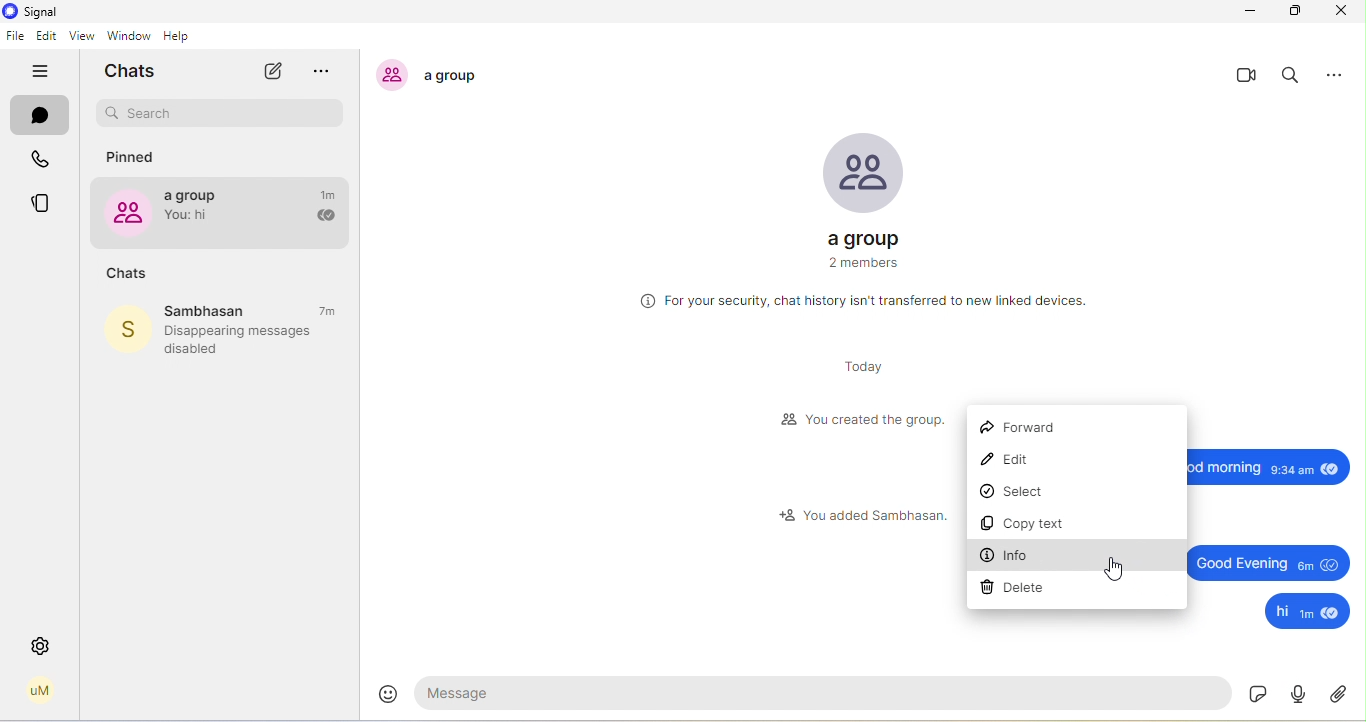 This screenshot has height=722, width=1366. I want to click on pinned, so click(134, 158).